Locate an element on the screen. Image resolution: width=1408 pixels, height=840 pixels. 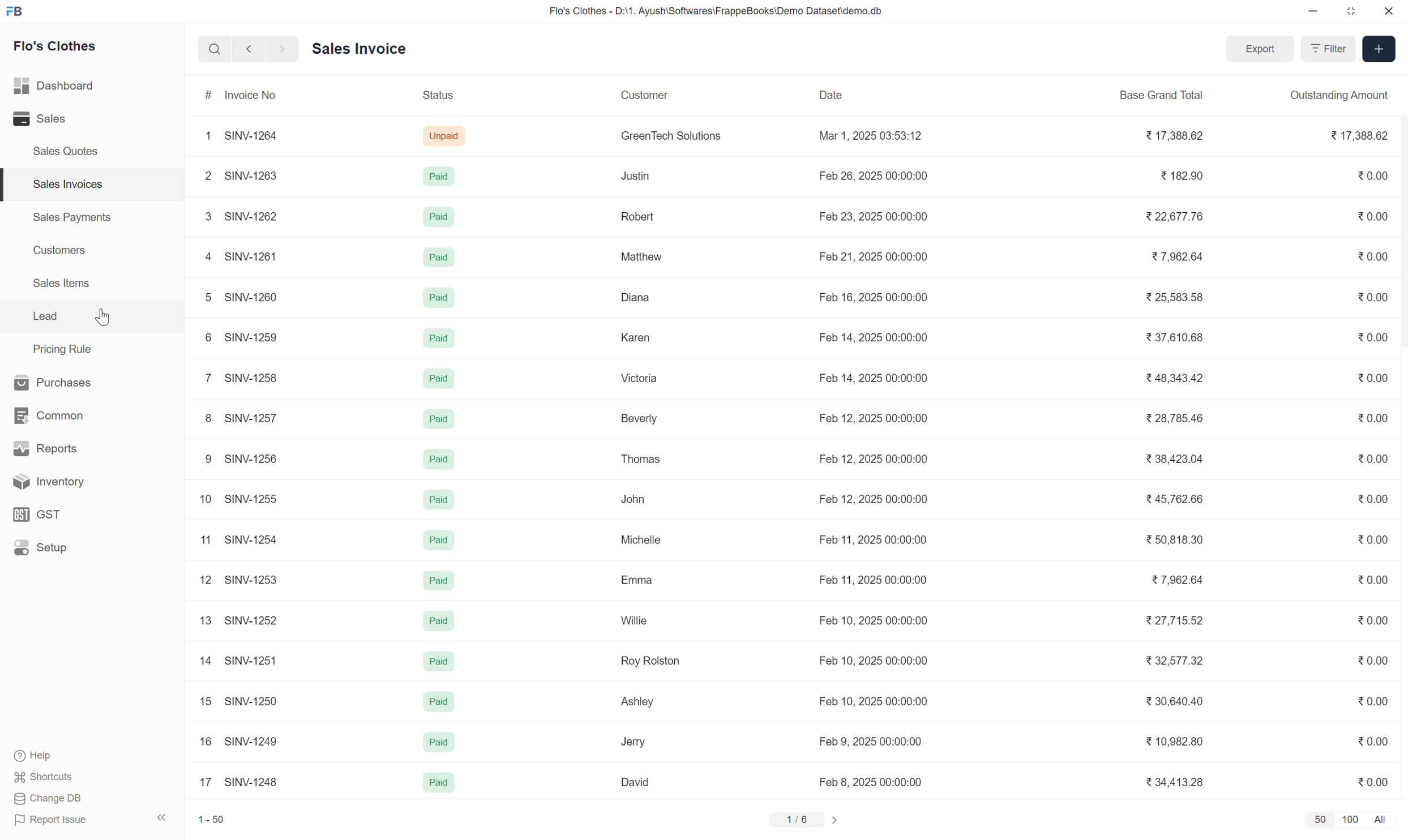
Justin is located at coordinates (634, 177).